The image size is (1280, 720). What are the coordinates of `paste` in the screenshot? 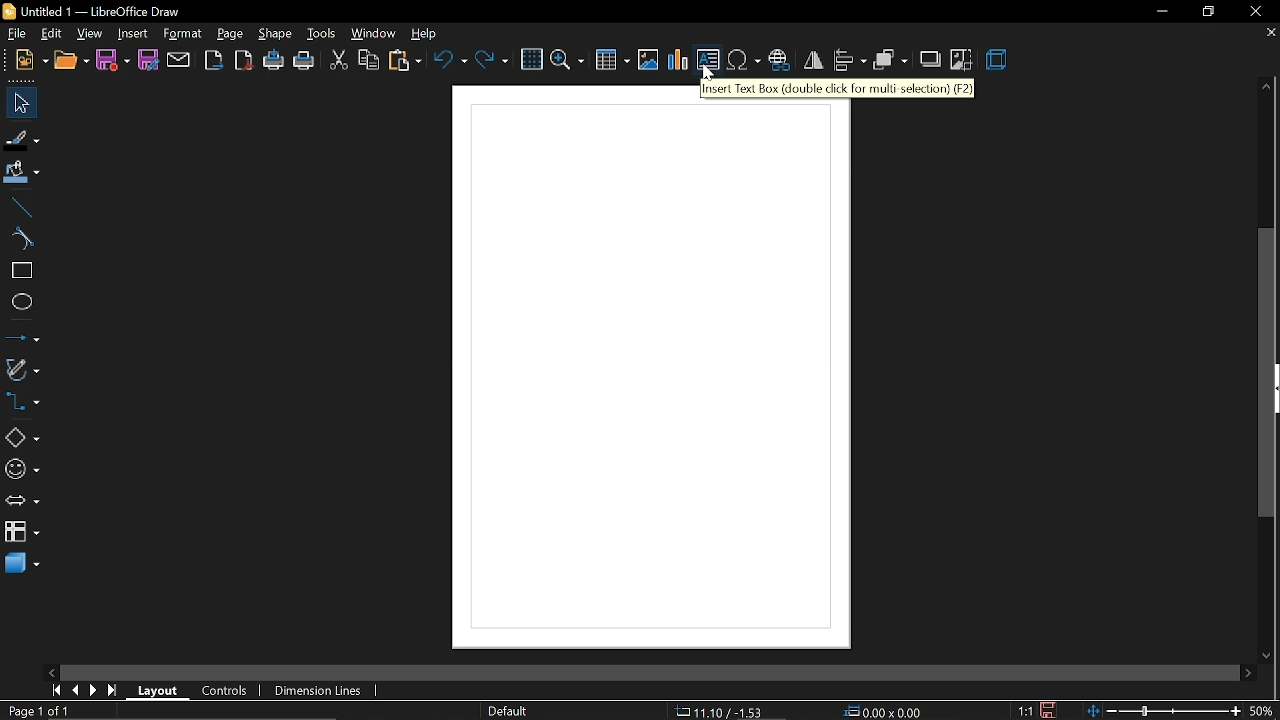 It's located at (406, 63).